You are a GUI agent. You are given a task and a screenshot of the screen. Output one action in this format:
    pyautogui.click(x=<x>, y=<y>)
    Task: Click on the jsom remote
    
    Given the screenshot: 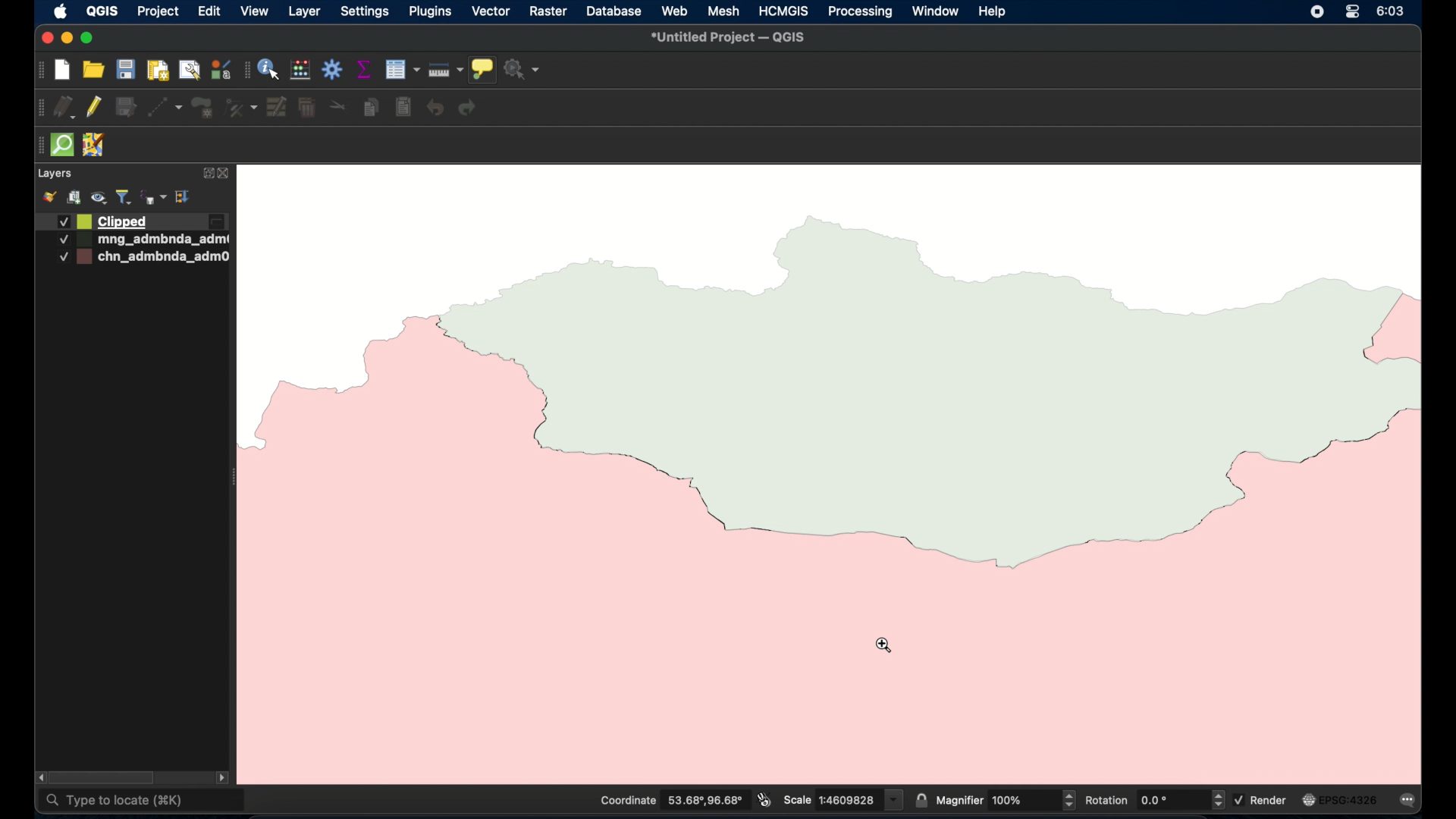 What is the action you would take?
    pyautogui.click(x=96, y=146)
    